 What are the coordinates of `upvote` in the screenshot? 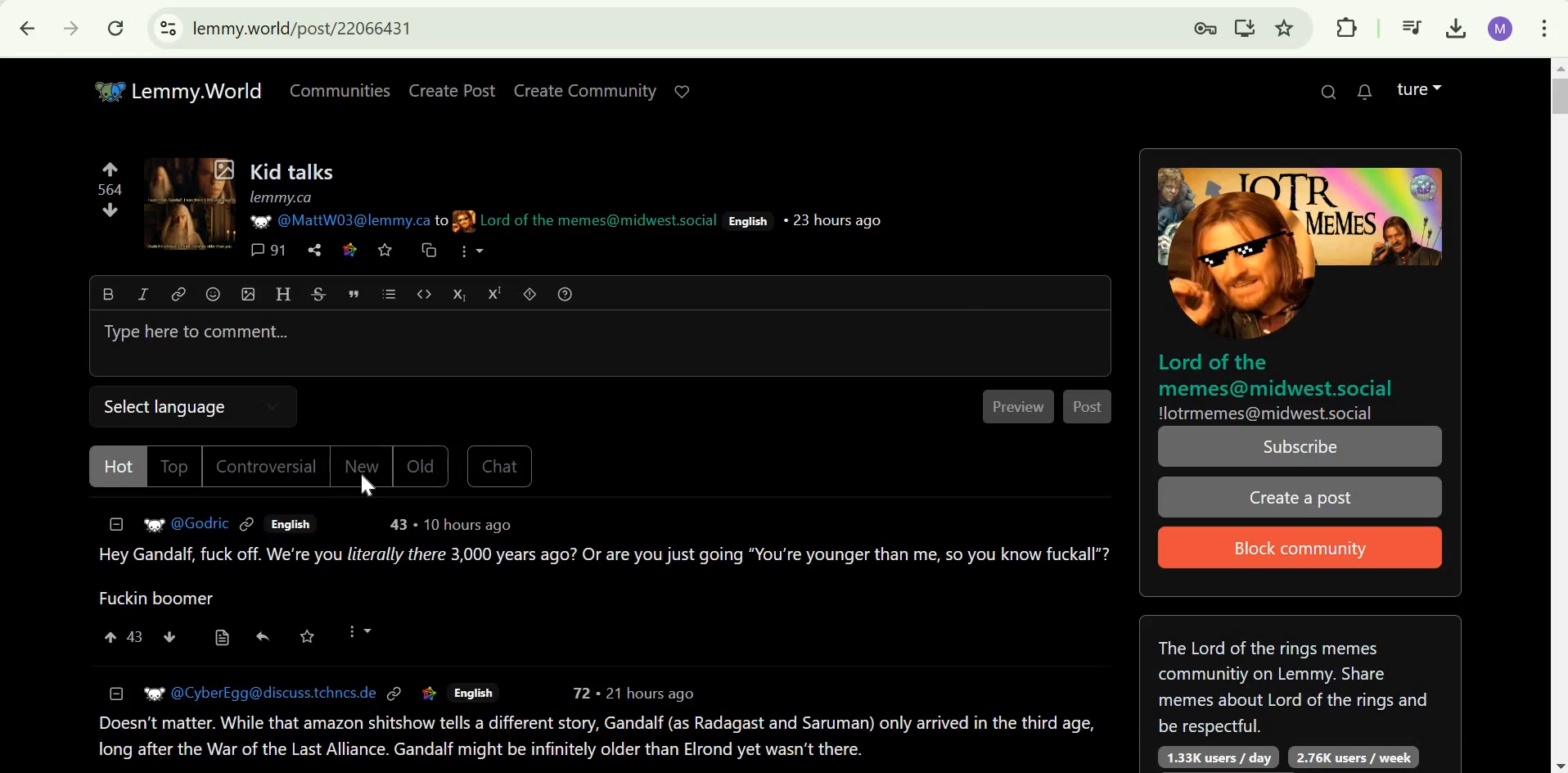 It's located at (110, 167).